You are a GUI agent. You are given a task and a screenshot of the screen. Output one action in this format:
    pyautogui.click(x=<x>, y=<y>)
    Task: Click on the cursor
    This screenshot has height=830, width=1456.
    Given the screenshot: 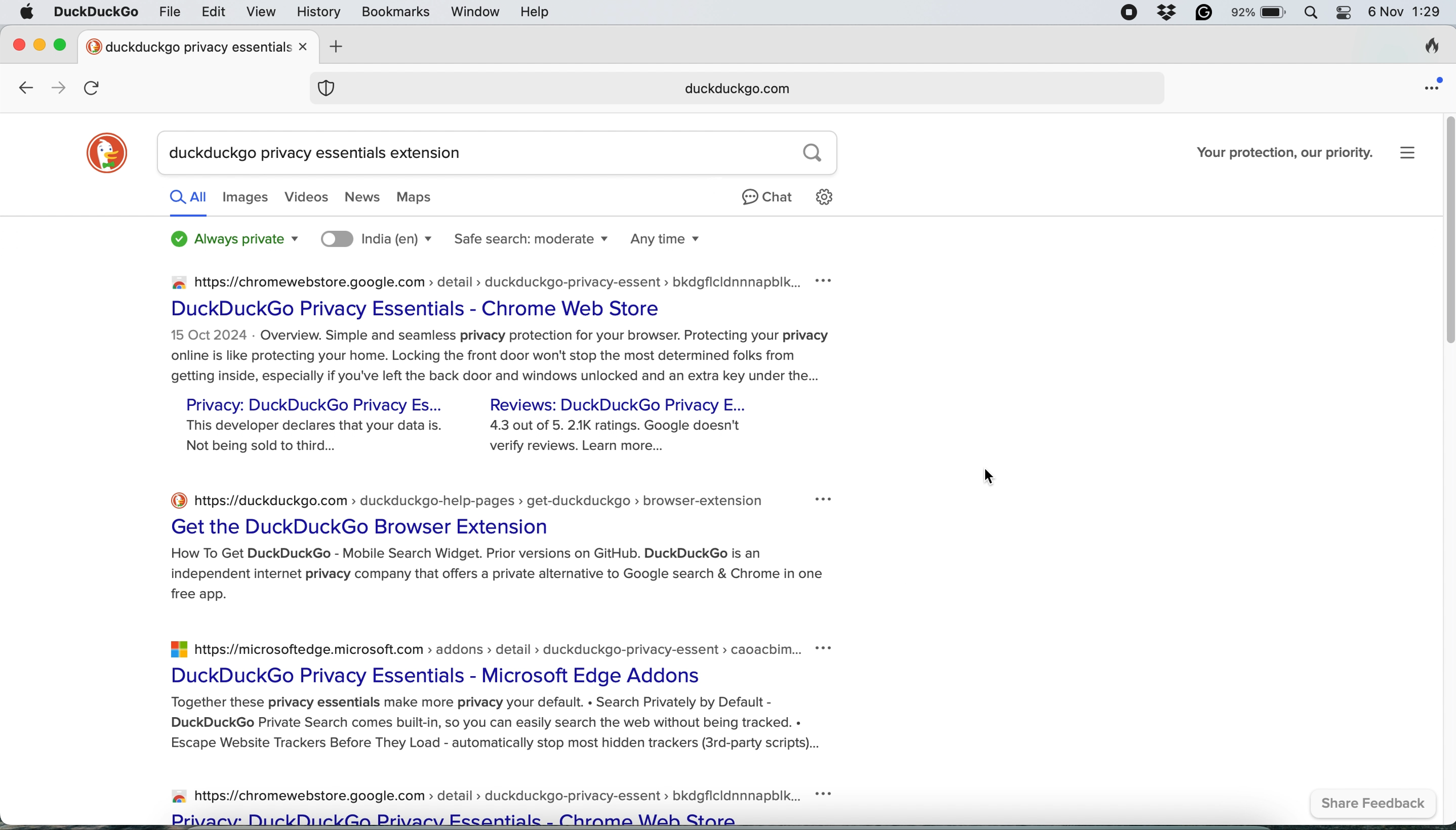 What is the action you would take?
    pyautogui.click(x=991, y=486)
    